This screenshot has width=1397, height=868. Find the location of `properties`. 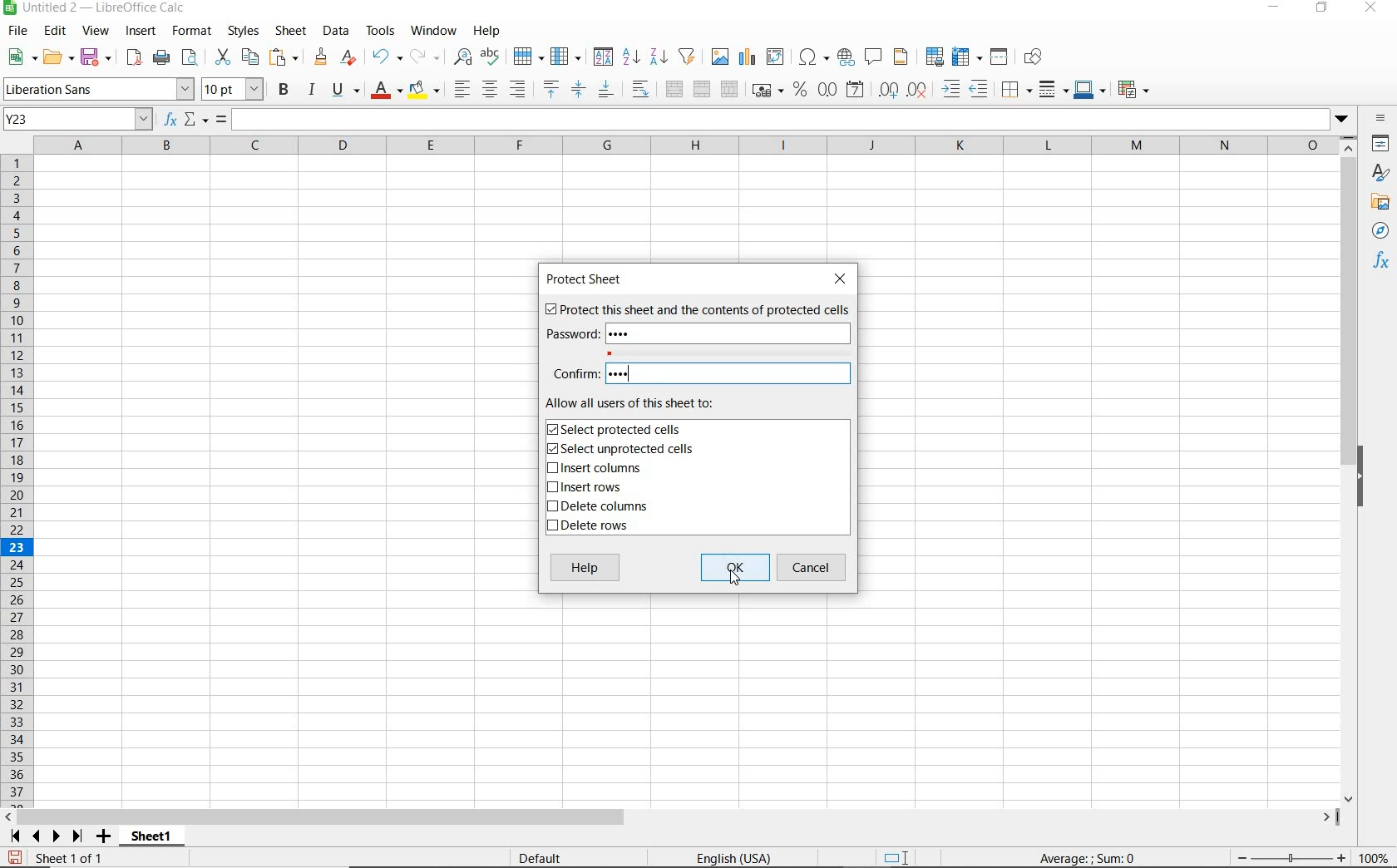

properties is located at coordinates (1379, 145).